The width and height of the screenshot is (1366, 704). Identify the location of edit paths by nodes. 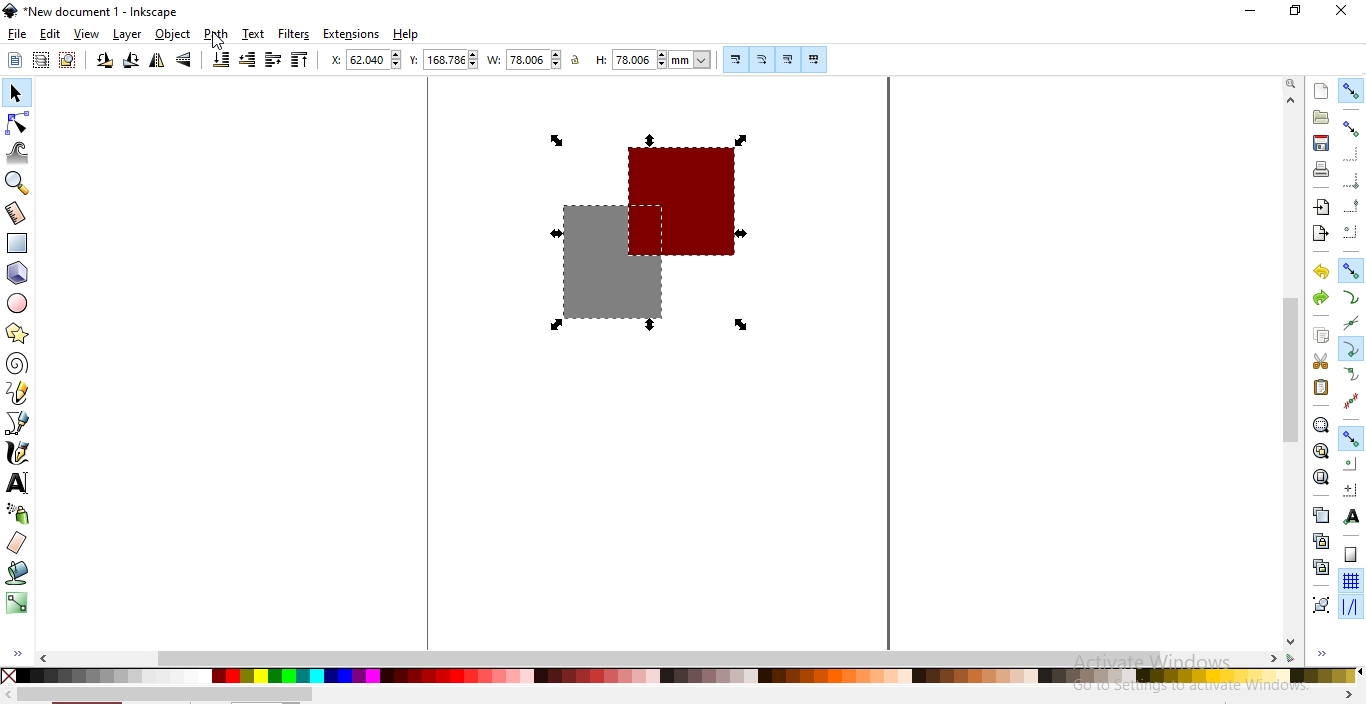
(19, 123).